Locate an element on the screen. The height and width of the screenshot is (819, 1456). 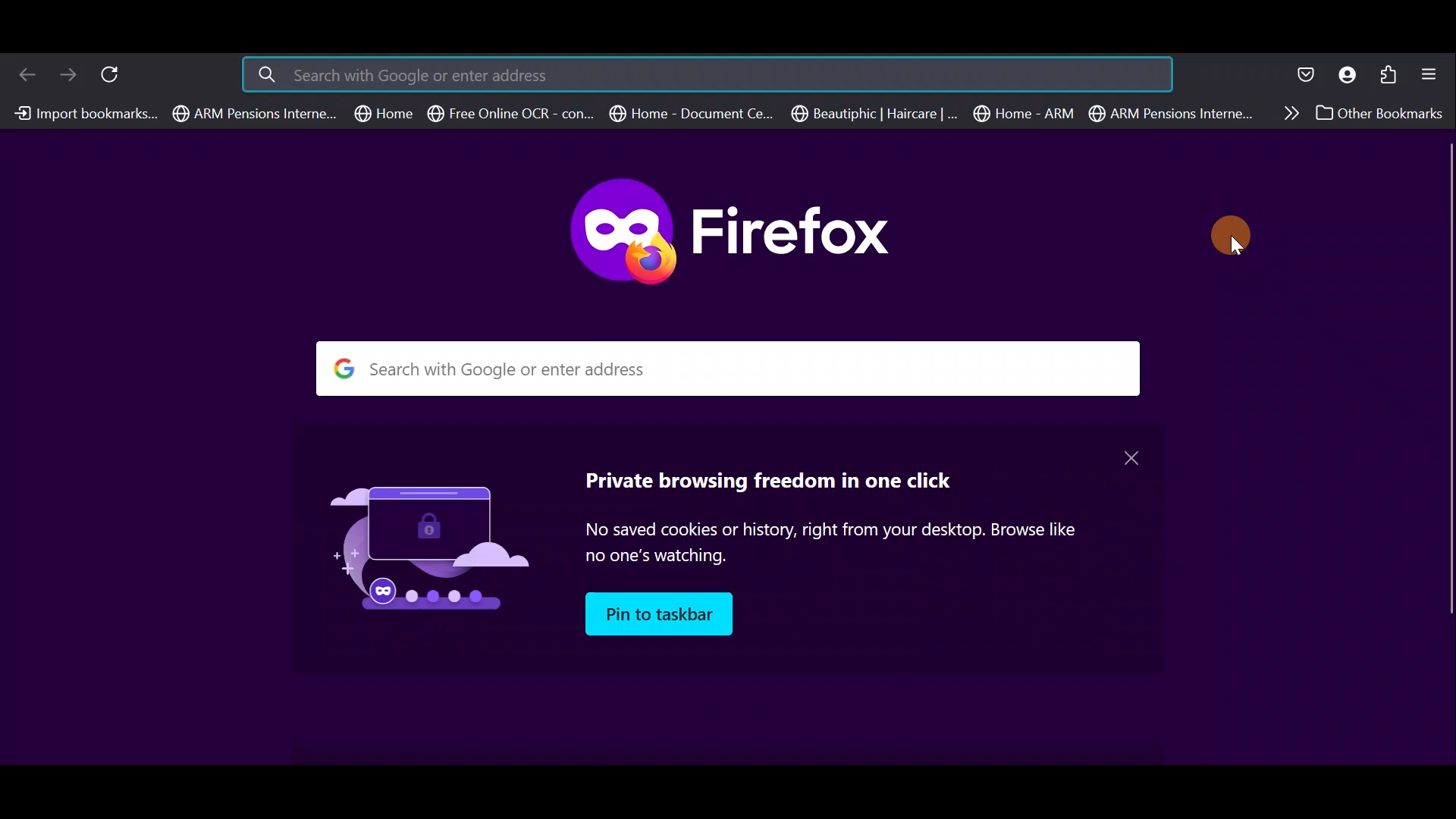
Pin to taskbar is located at coordinates (657, 613).